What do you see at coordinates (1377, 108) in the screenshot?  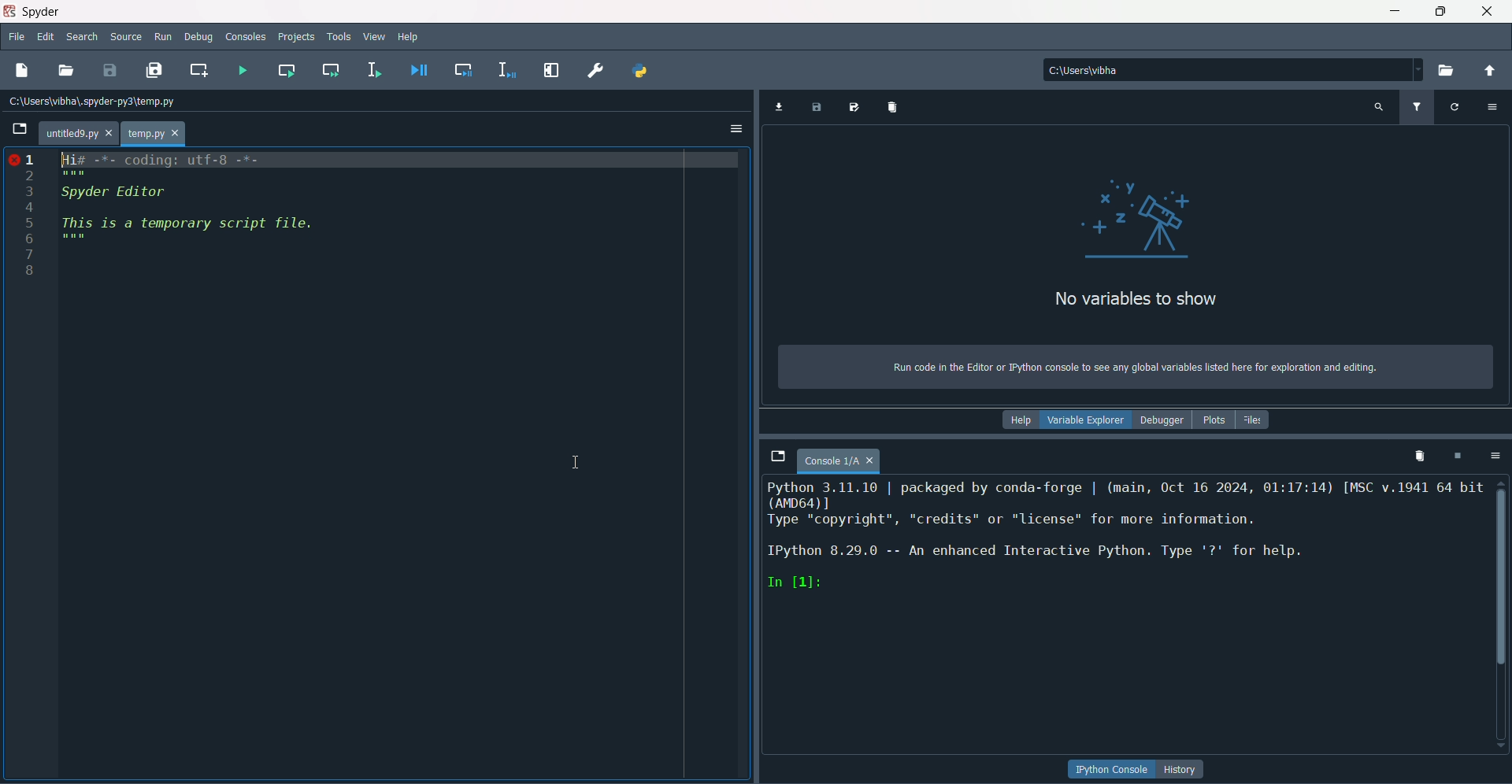 I see `search variable` at bounding box center [1377, 108].